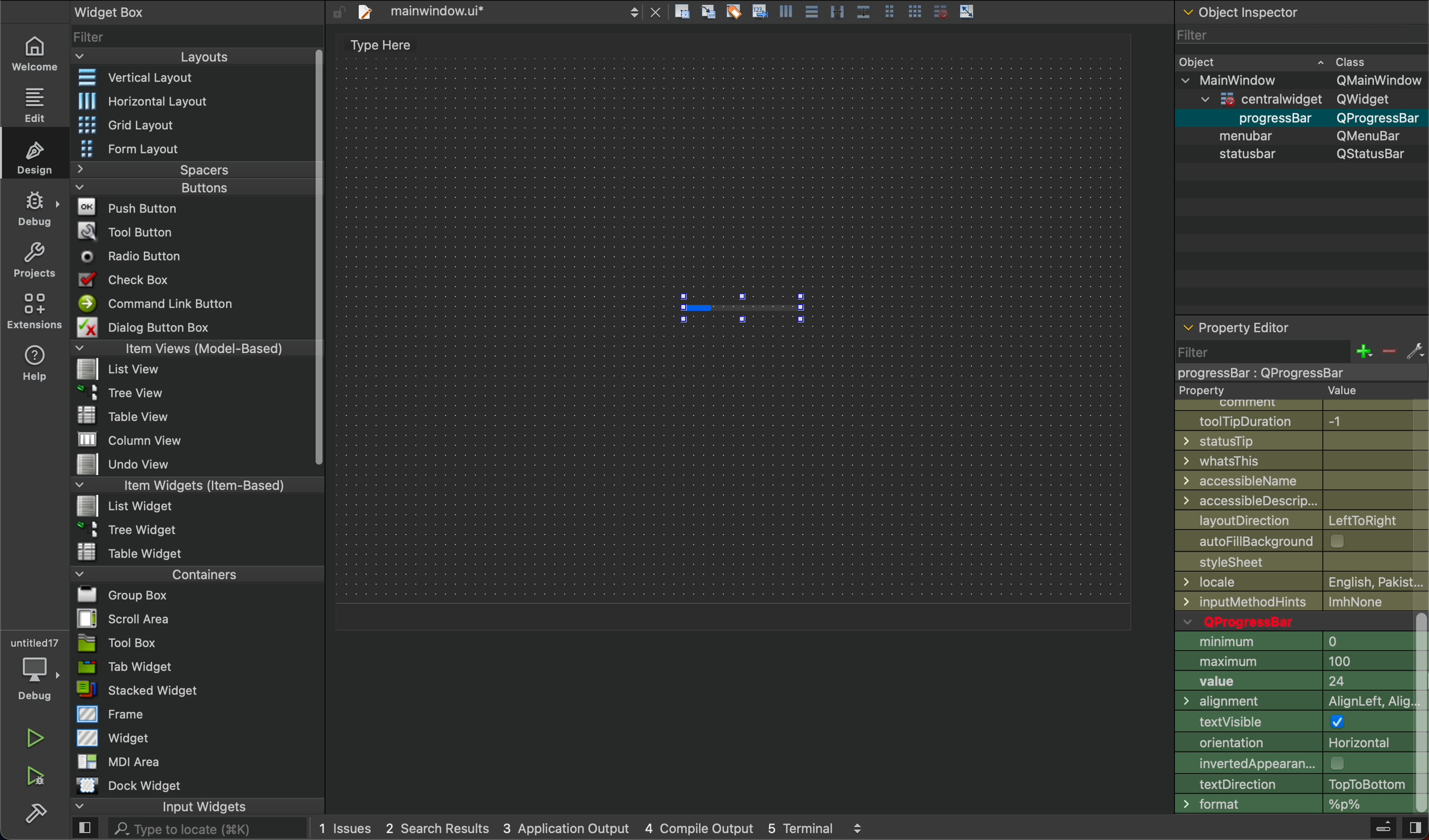 The image size is (1429, 840). I want to click on File, so click(116, 595).